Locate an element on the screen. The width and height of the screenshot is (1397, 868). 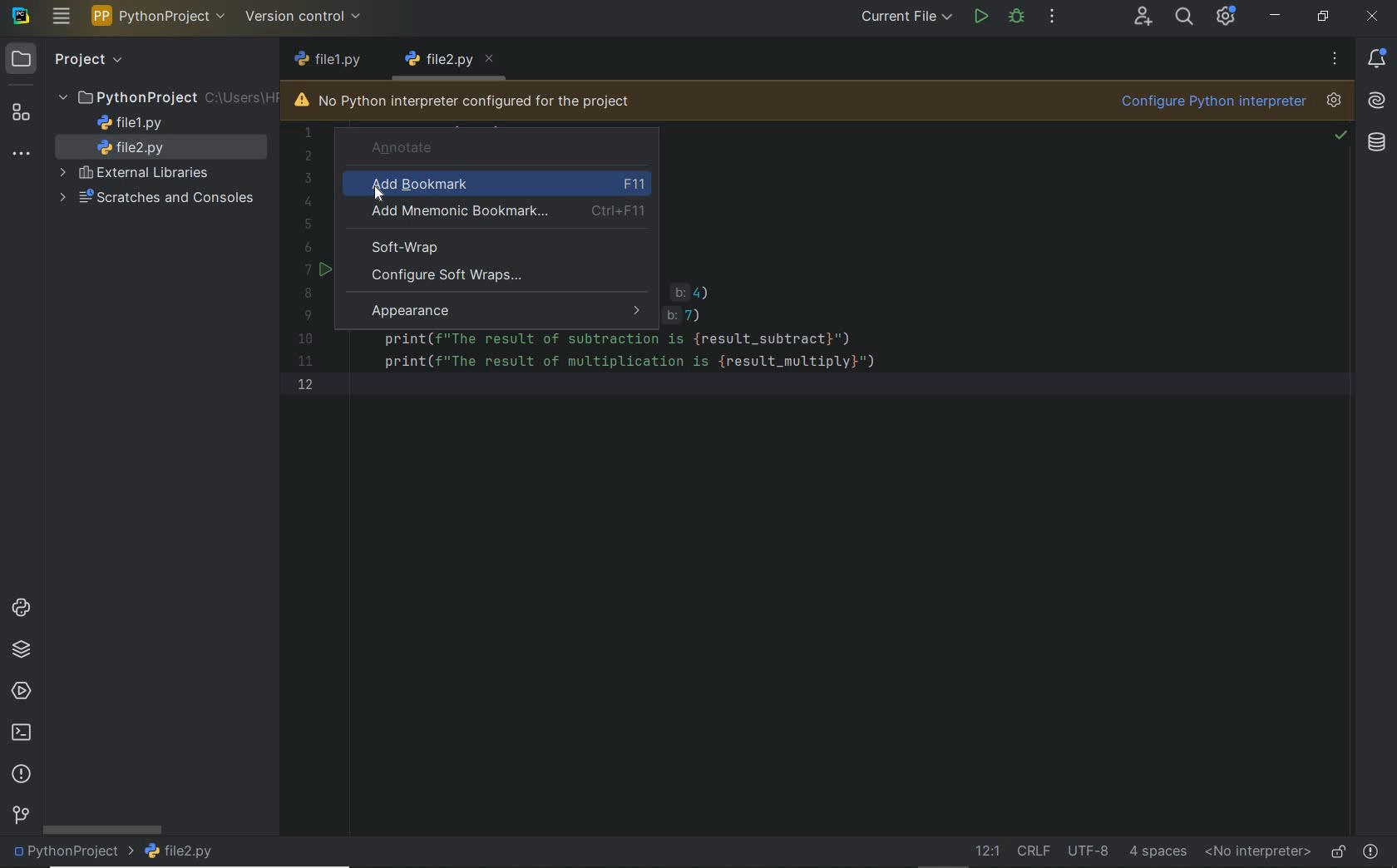
minimize is located at coordinates (1275, 16).